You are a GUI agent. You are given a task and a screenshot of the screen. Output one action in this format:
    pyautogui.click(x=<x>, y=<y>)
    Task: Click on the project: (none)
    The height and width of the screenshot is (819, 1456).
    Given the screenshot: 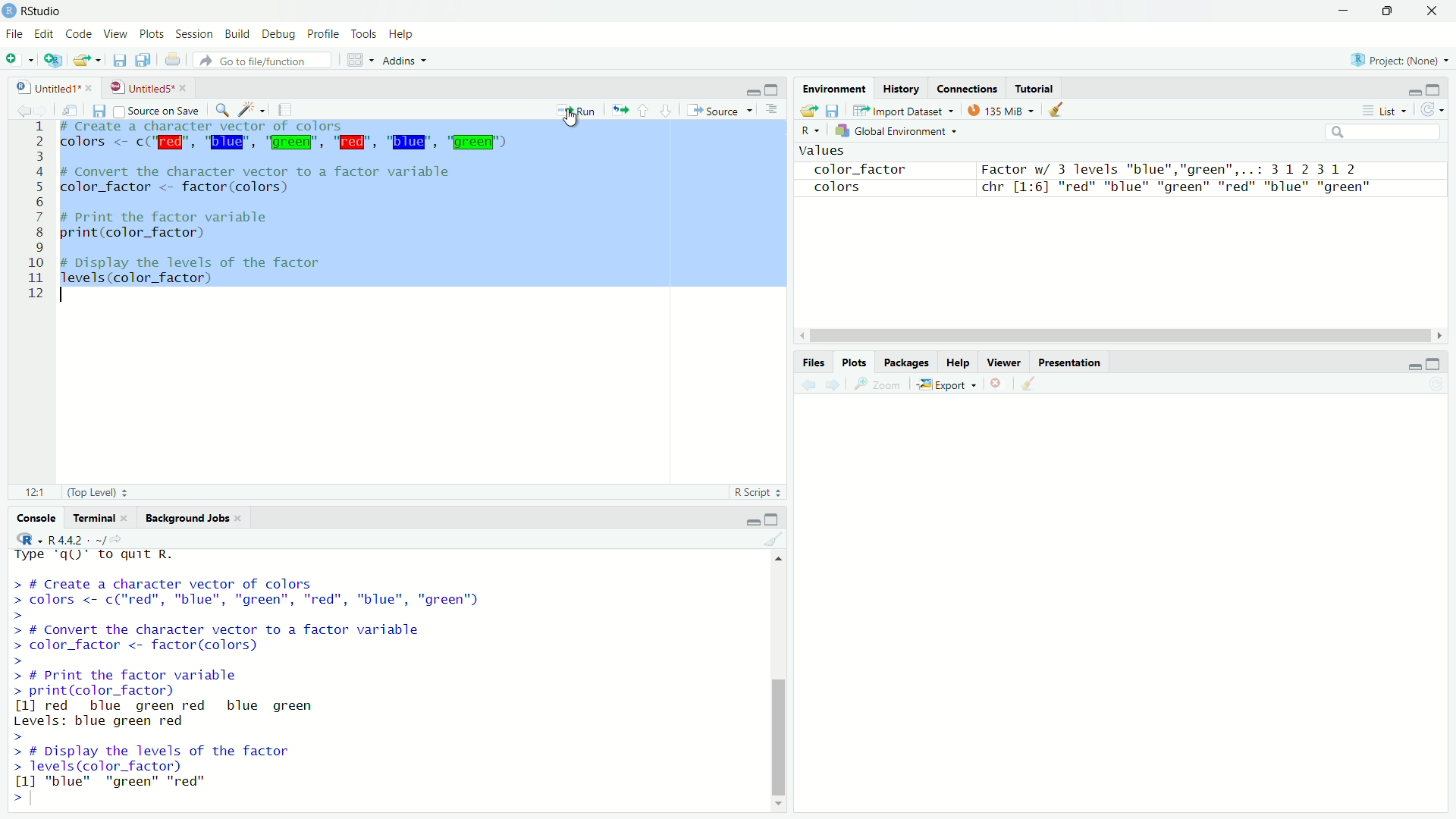 What is the action you would take?
    pyautogui.click(x=1403, y=61)
    